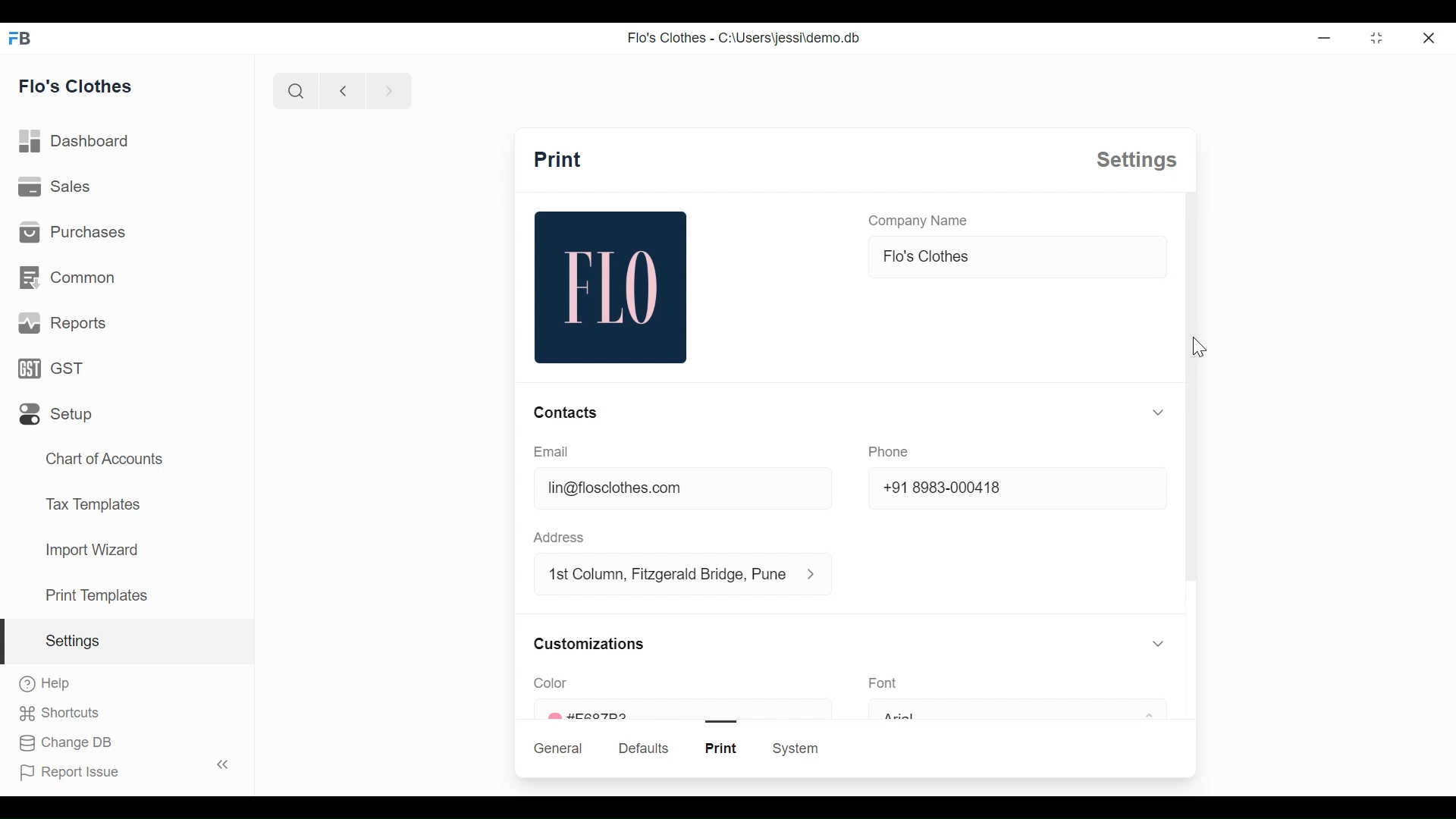 The width and height of the screenshot is (1456, 819). What do you see at coordinates (45, 683) in the screenshot?
I see `help` at bounding box center [45, 683].